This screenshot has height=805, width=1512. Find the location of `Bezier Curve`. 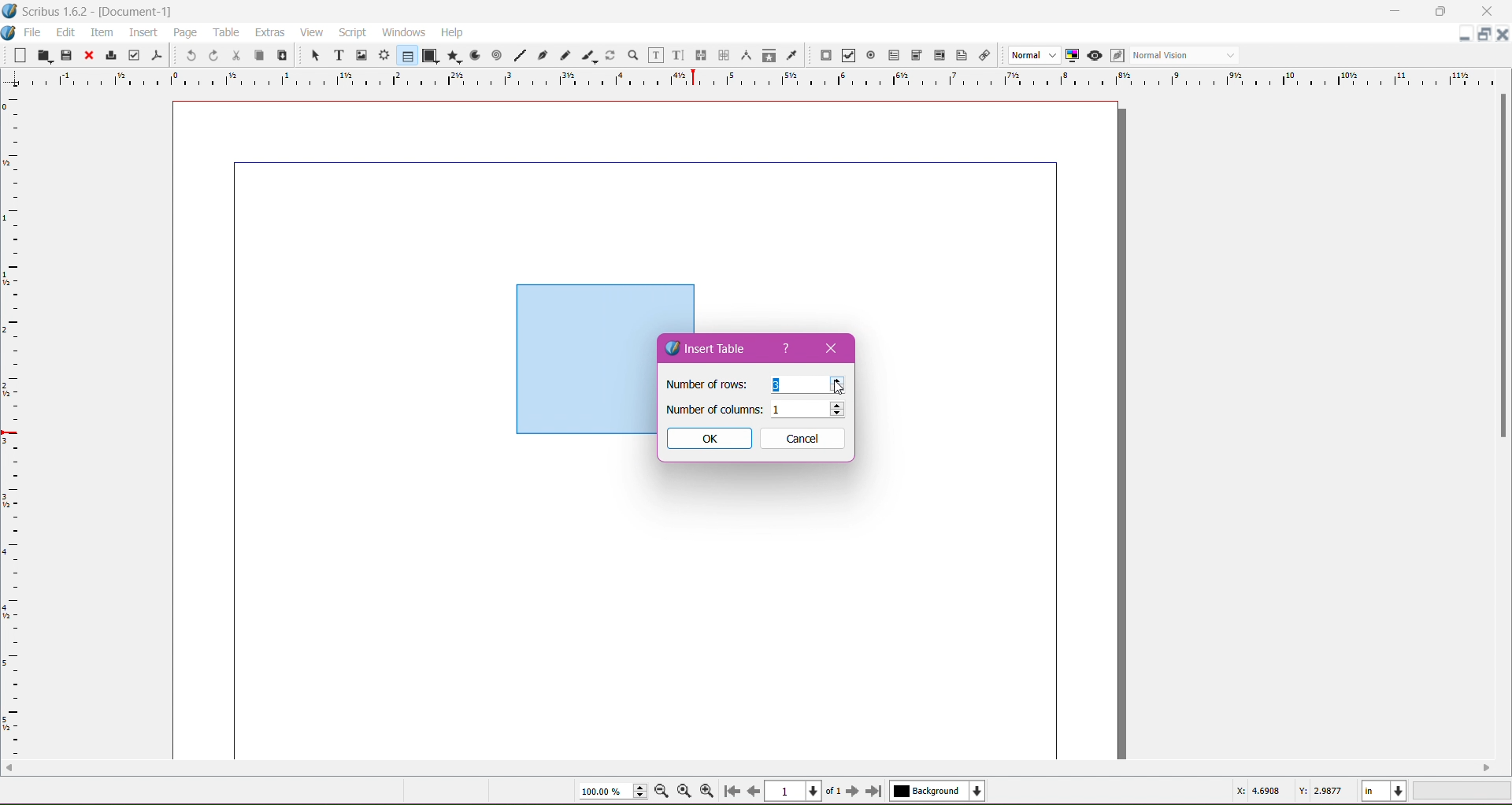

Bezier Curve is located at coordinates (541, 54).